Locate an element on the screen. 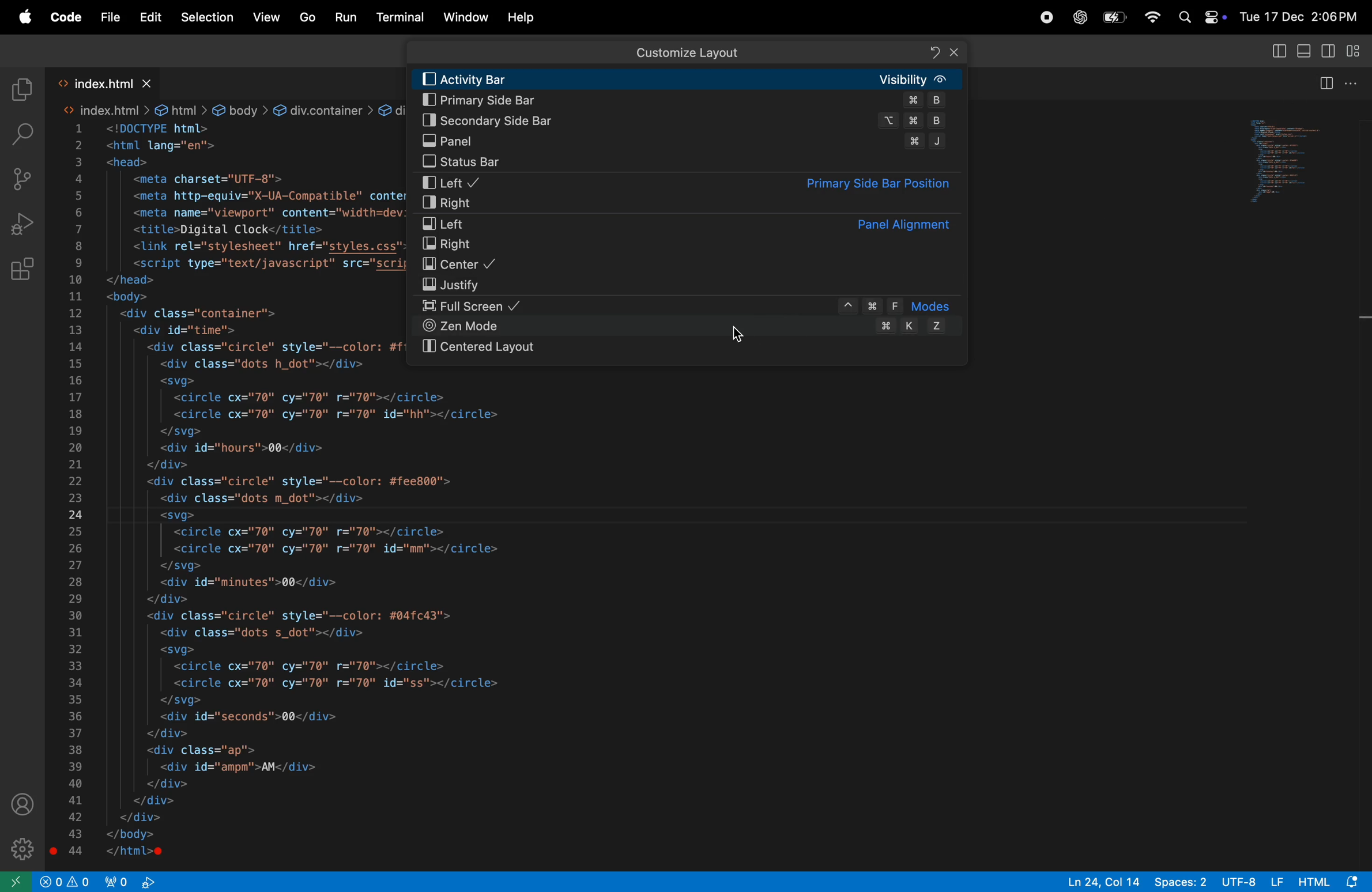  Replace is located at coordinates (936, 52).